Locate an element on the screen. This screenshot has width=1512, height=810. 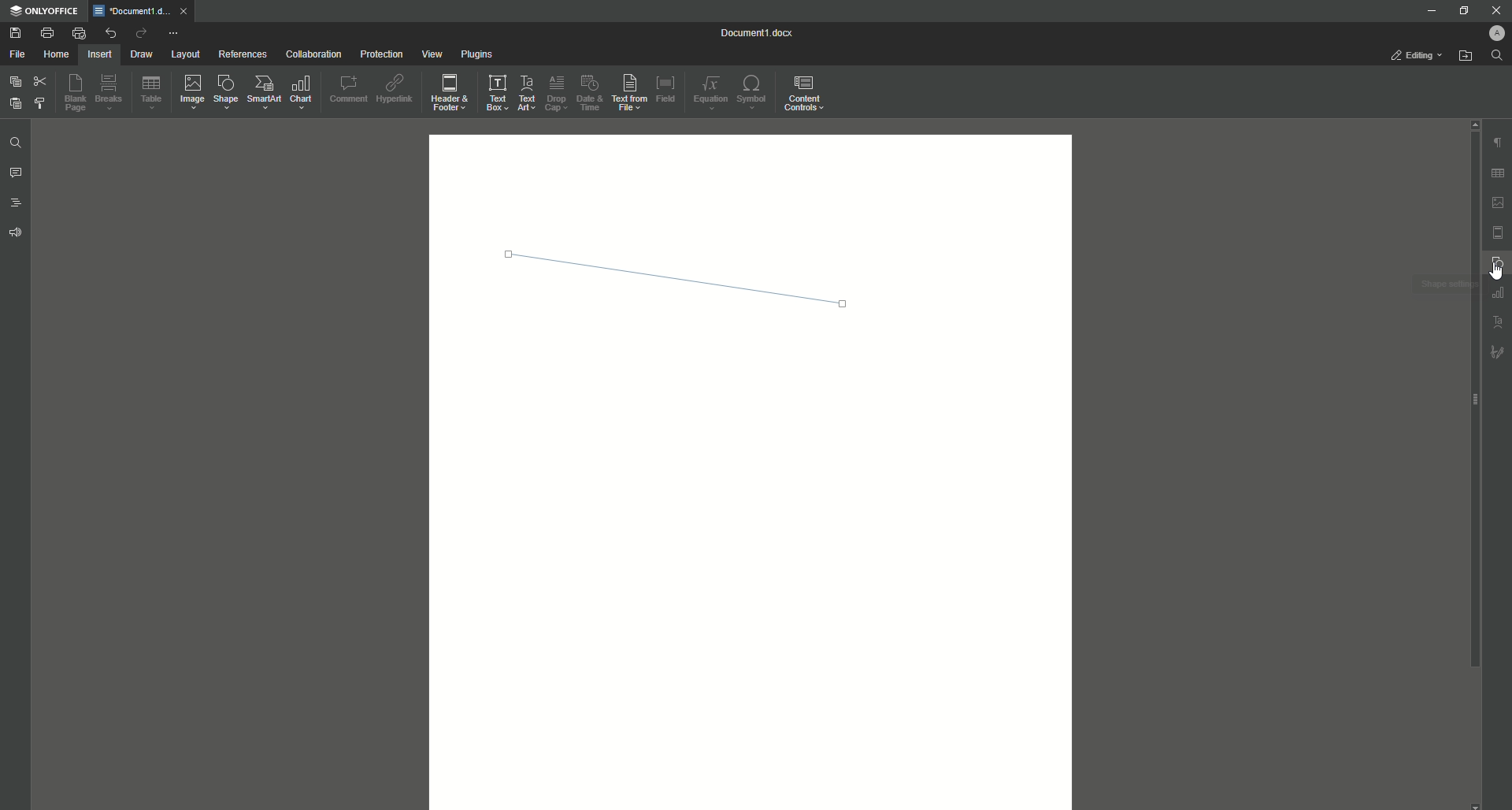
Redo is located at coordinates (139, 34).